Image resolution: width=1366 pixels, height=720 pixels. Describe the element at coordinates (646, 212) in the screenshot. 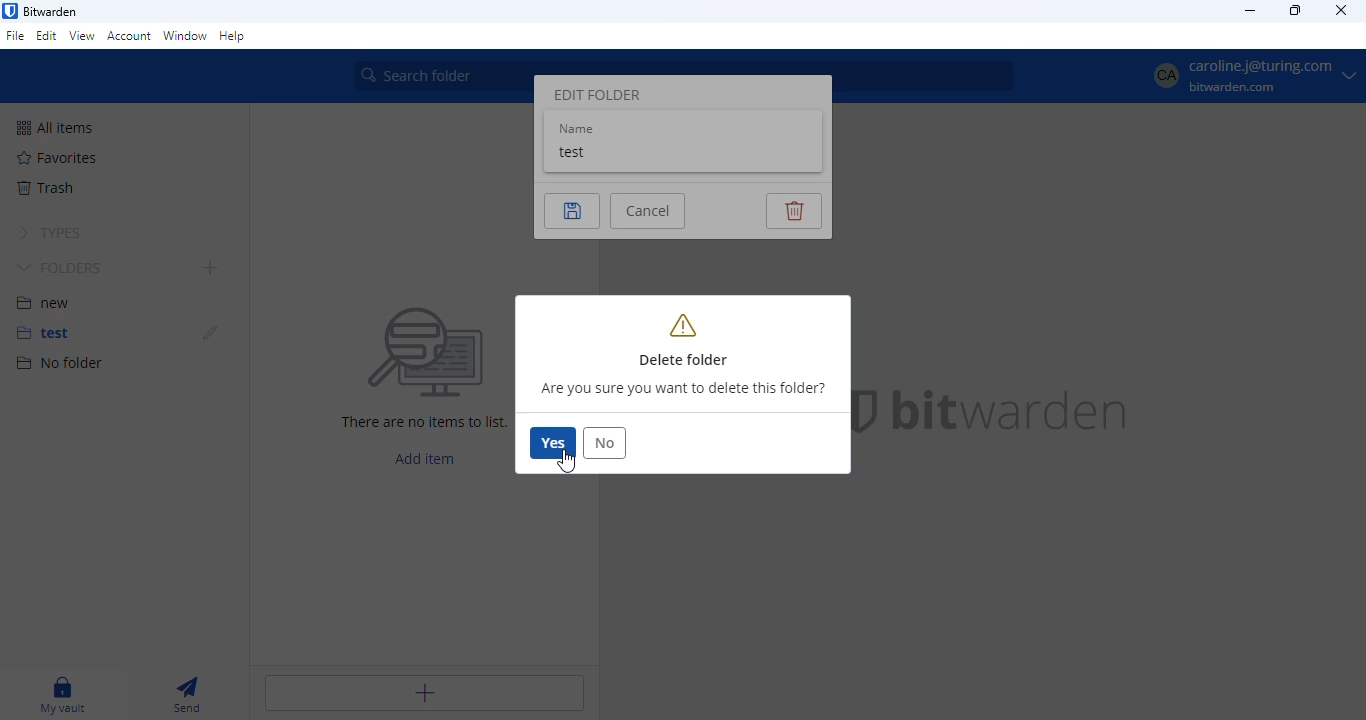

I see `cancel` at that location.